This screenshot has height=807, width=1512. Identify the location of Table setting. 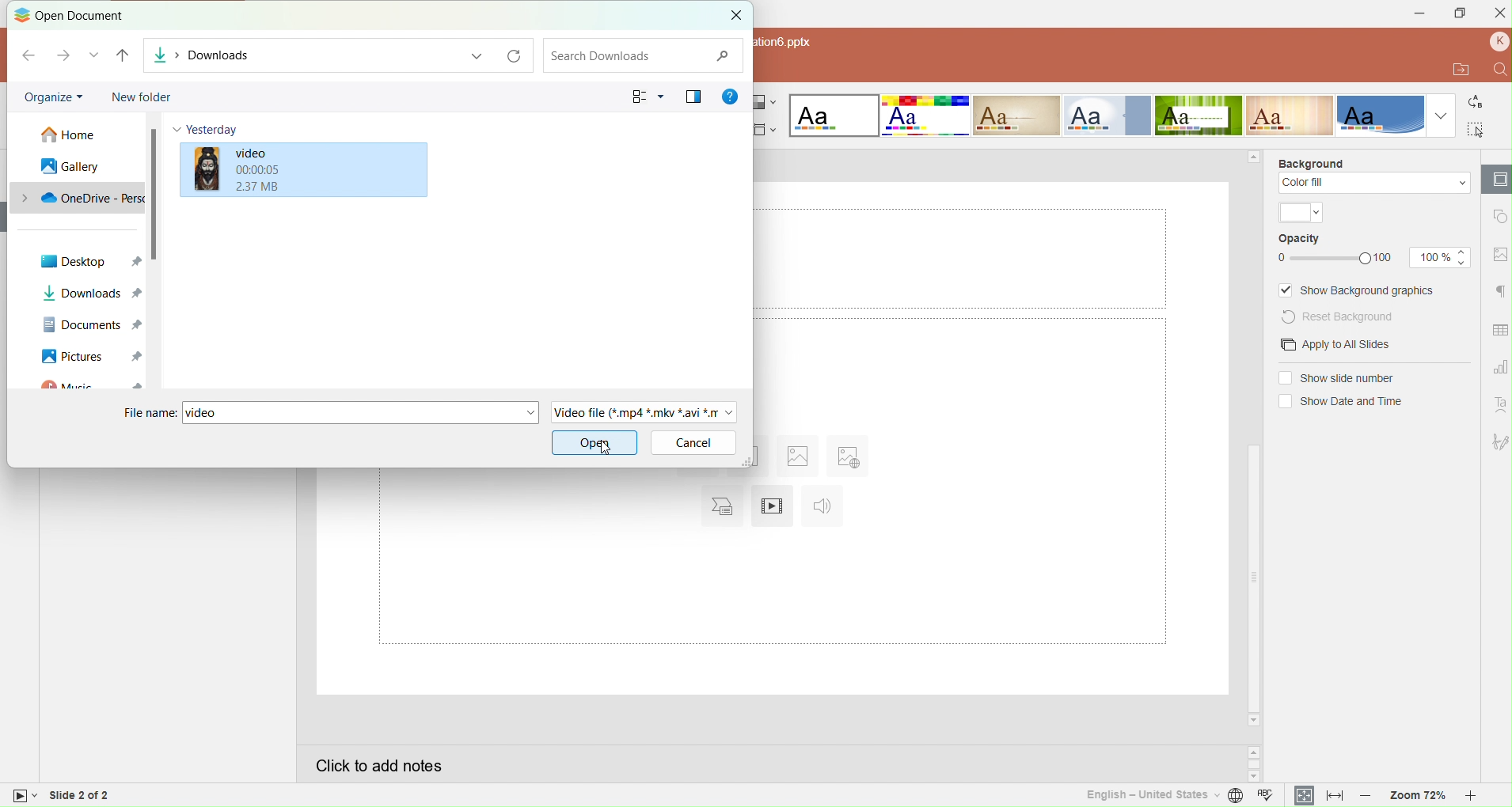
(1498, 328).